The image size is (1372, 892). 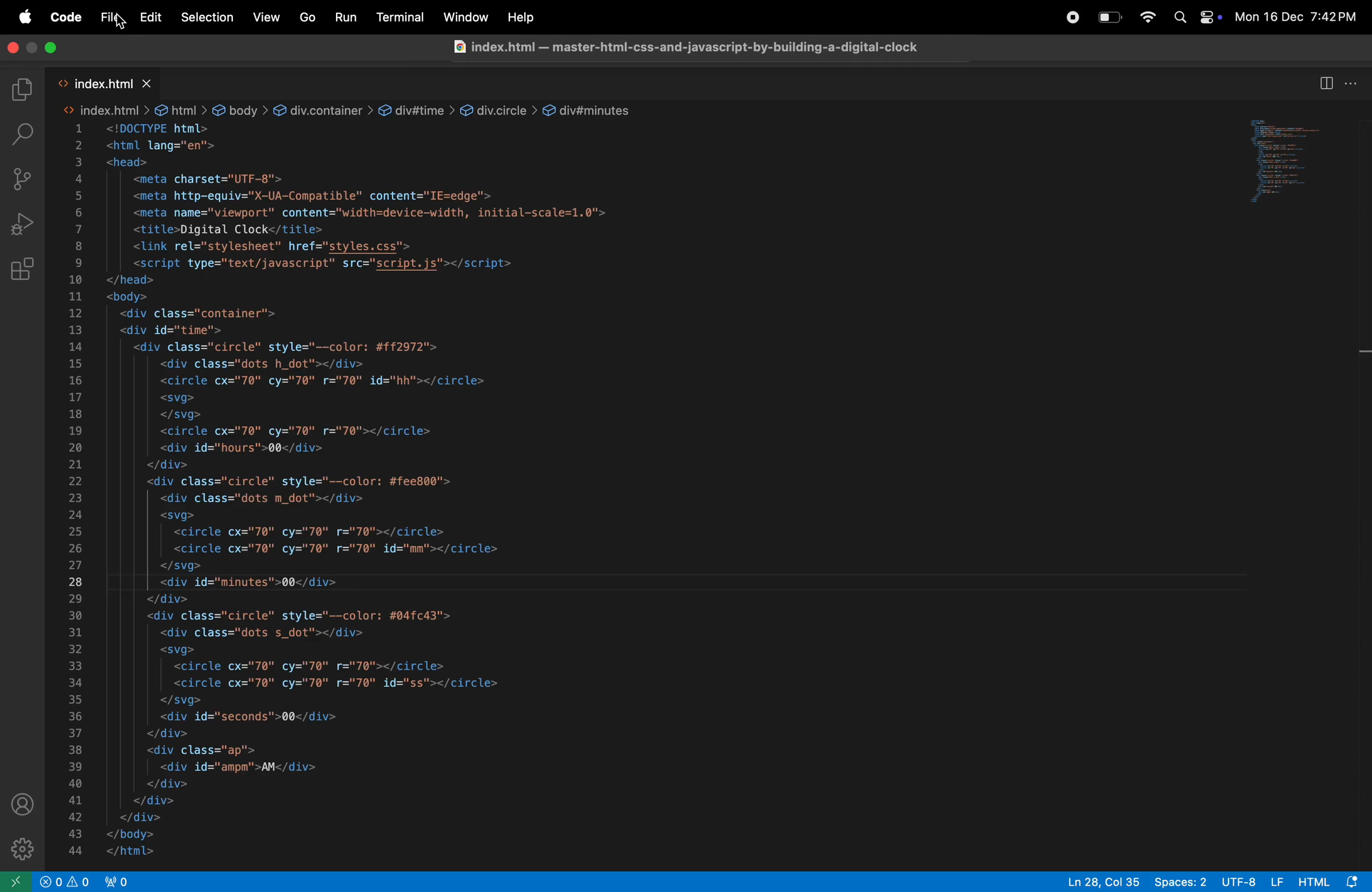 What do you see at coordinates (390, 492) in the screenshot?
I see `<!DOCTYPE html>
<html lang="en">
<head>
<meta charset="UTF-8">
<meta http-equiv="X-UA-Compatible" content="IE=edge">
<meta name="viewport" content="width=device-width, initial-scale=1.0">
<title>Digital Clock</title>
<link rel="stylesheet" href="styles.css">
<script type="text/javascript" src="script.js"></script>
</head>
<body>
<div class="container">
<div id="time">
<div class="circle" style="--color: #ff2972">
<div class="dots h_dot"></div>
<circle cx="70" cy="70" r="70" id="hh"></circle>
<svg>
</svg>
<circle cx="70" cy="70" r="70"></circle>
<div id="hours">00</div>
</div>
<div class="circle" style="--color: #fee800">
<div class="dots m_dot"></div>
<svg>
<circle cx="70" cy="70" r="70"></circle>
<circle cx="70" cy="70" r="70" id="mm"></circle>
</svg>
<div id="minutes">00</div>
</div>
<div class="circle" style="--color: #04fc43">
<div class="dots s_dot"></div>
<svg>
<circle cx="70" cy="70" r="70"></circle>
<circle cx="70" cy="70" r="70" id="ss"></circle>
</svg>
<div id="seconds">00</div>
</div>
<div class="ap">
<div id="ampm">AM</div>
</div>
</div>
</div>
</body>
</html>` at bounding box center [390, 492].